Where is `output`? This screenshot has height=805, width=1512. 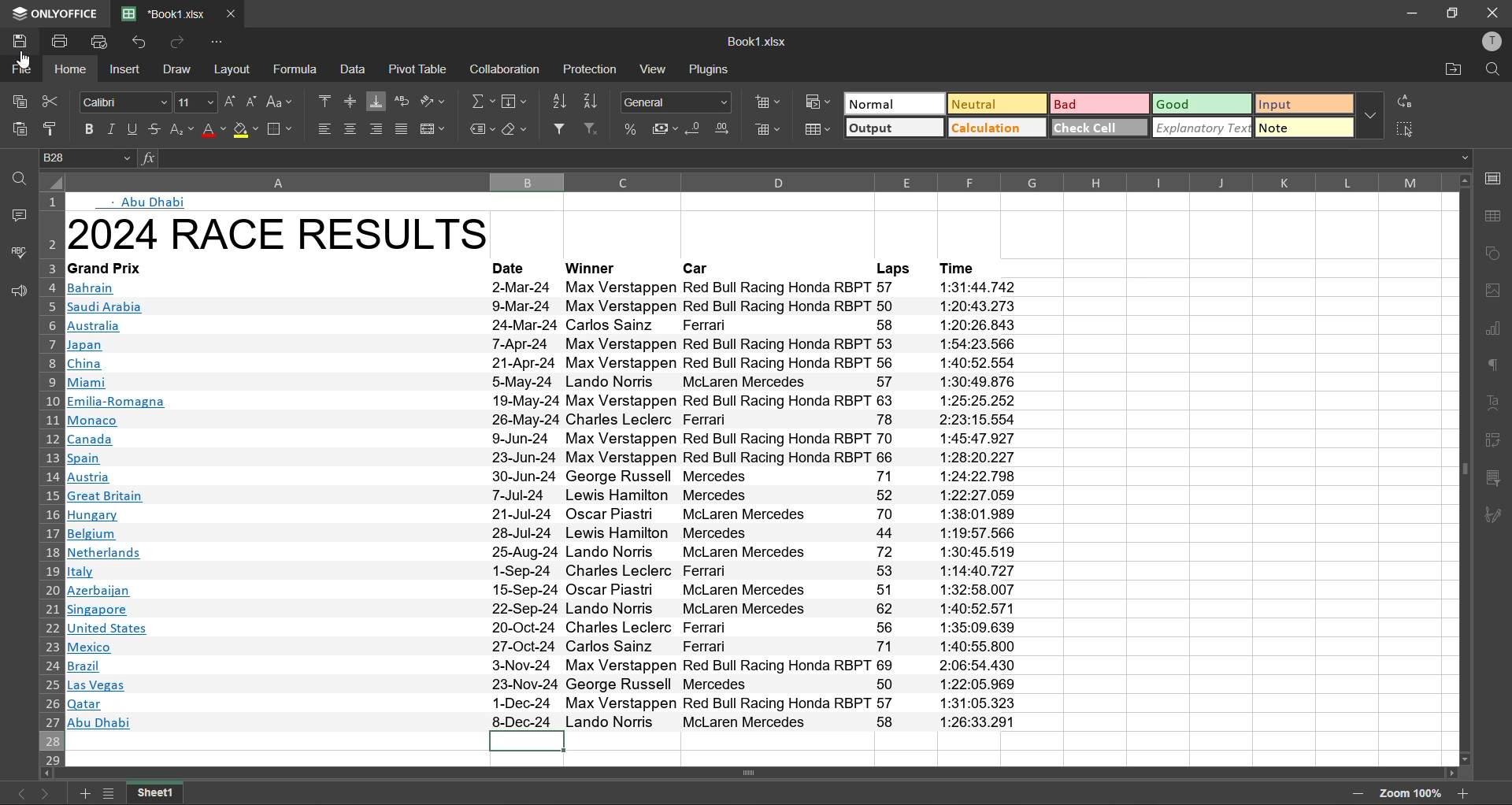
output is located at coordinates (894, 128).